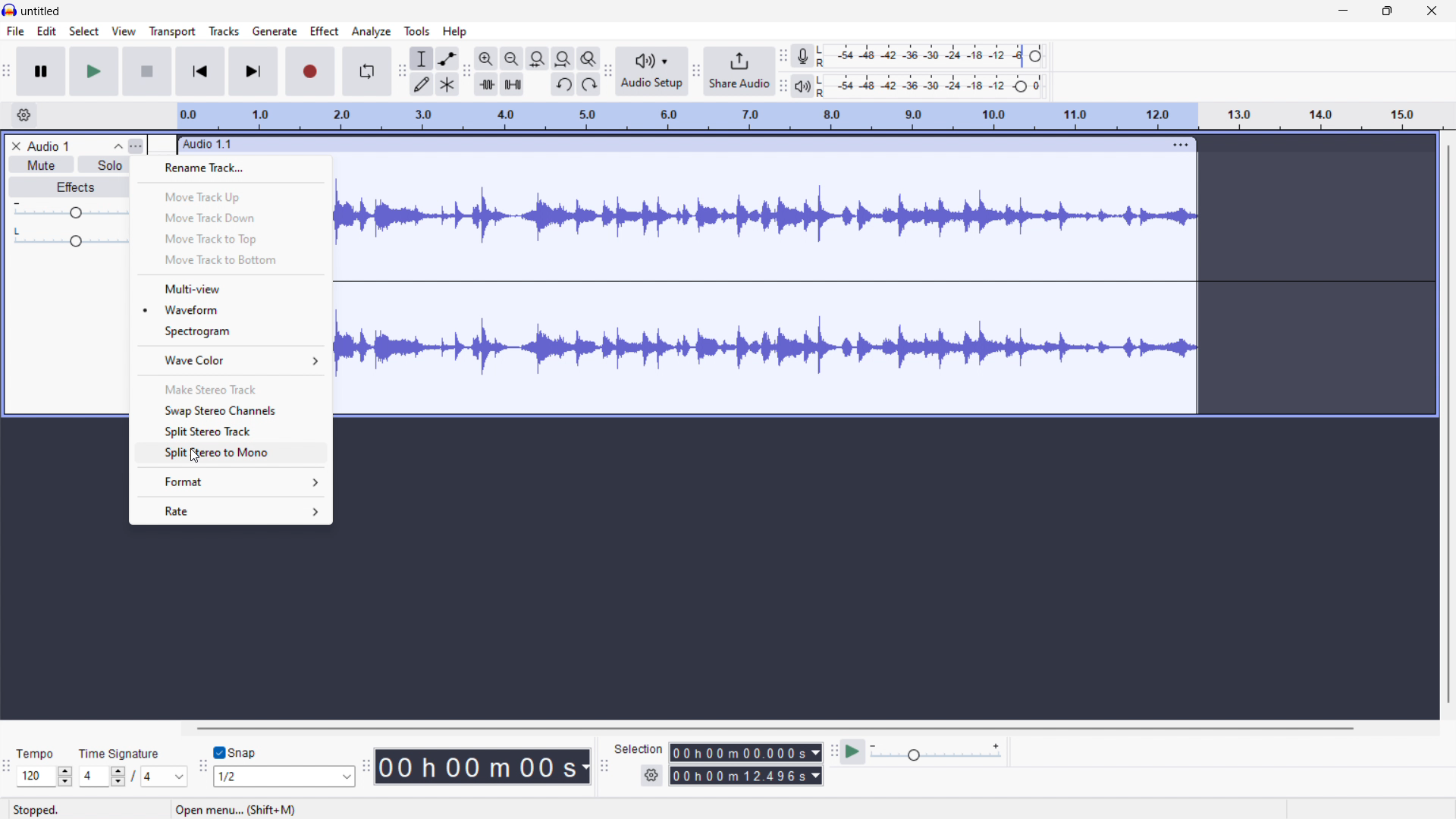 The image size is (1456, 819). What do you see at coordinates (234, 809) in the screenshot?
I see `Open menu shortcut info` at bounding box center [234, 809].